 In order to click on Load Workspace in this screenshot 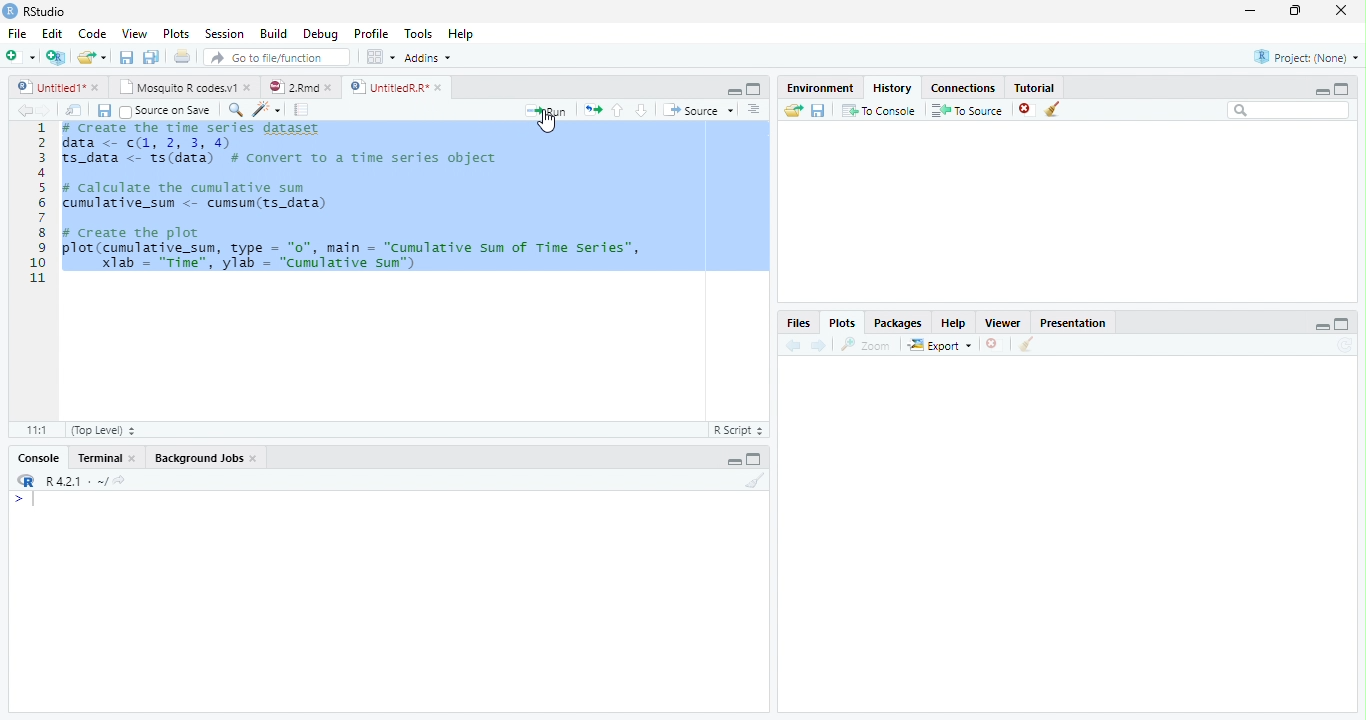, I will do `click(796, 114)`.